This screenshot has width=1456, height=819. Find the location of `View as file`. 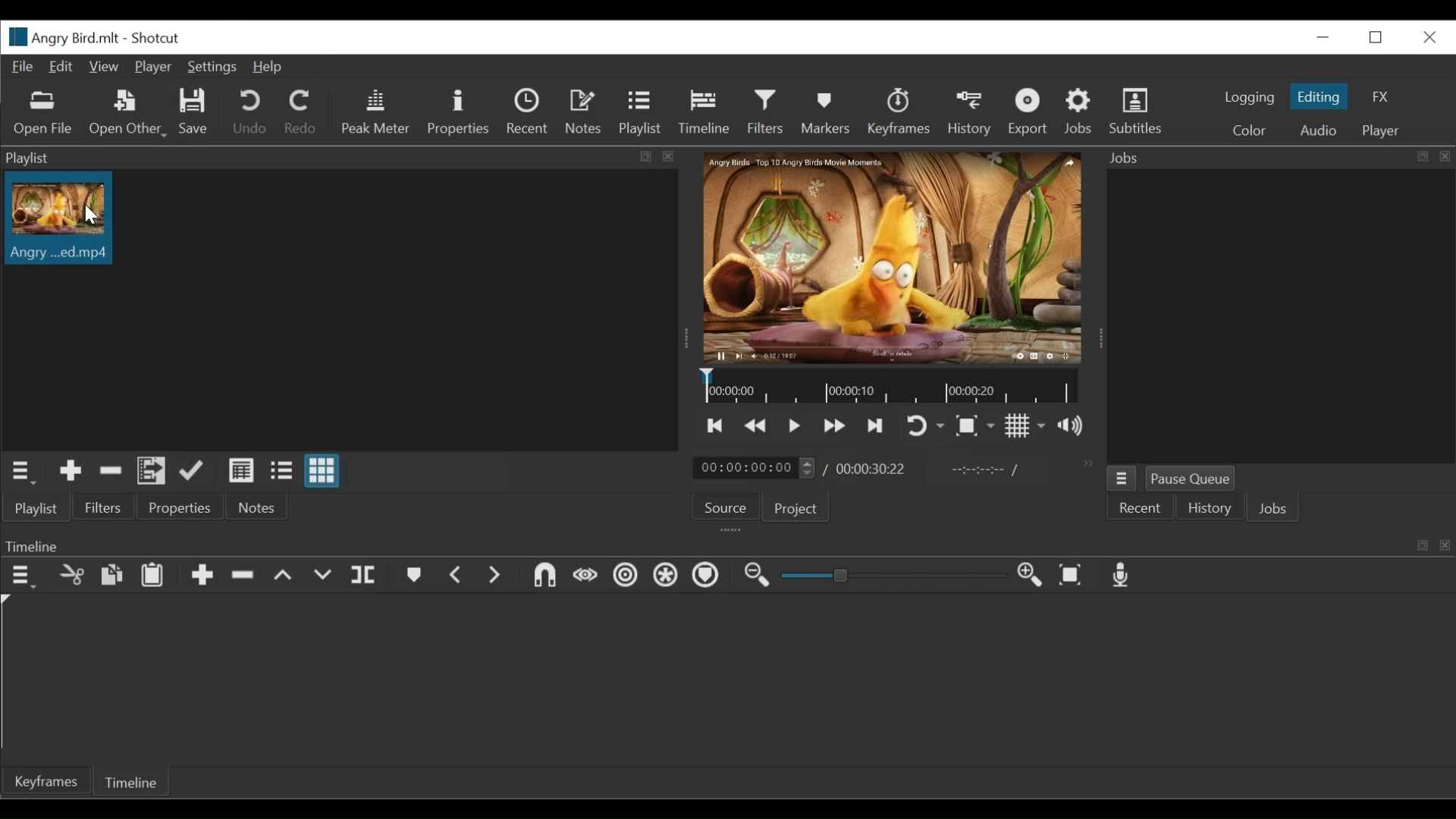

View as file is located at coordinates (281, 471).